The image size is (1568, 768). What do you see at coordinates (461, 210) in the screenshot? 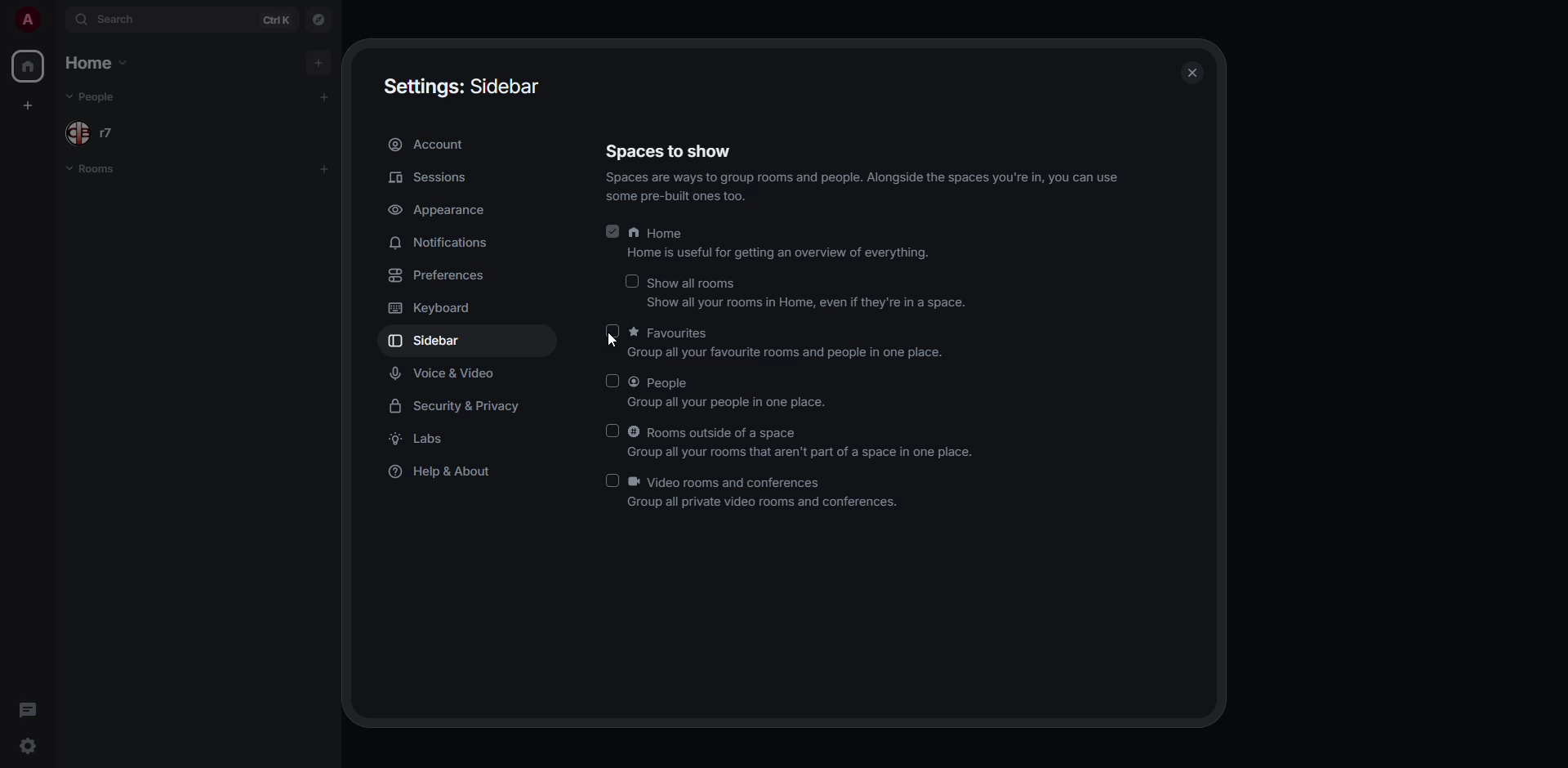
I see `appearance` at bounding box center [461, 210].